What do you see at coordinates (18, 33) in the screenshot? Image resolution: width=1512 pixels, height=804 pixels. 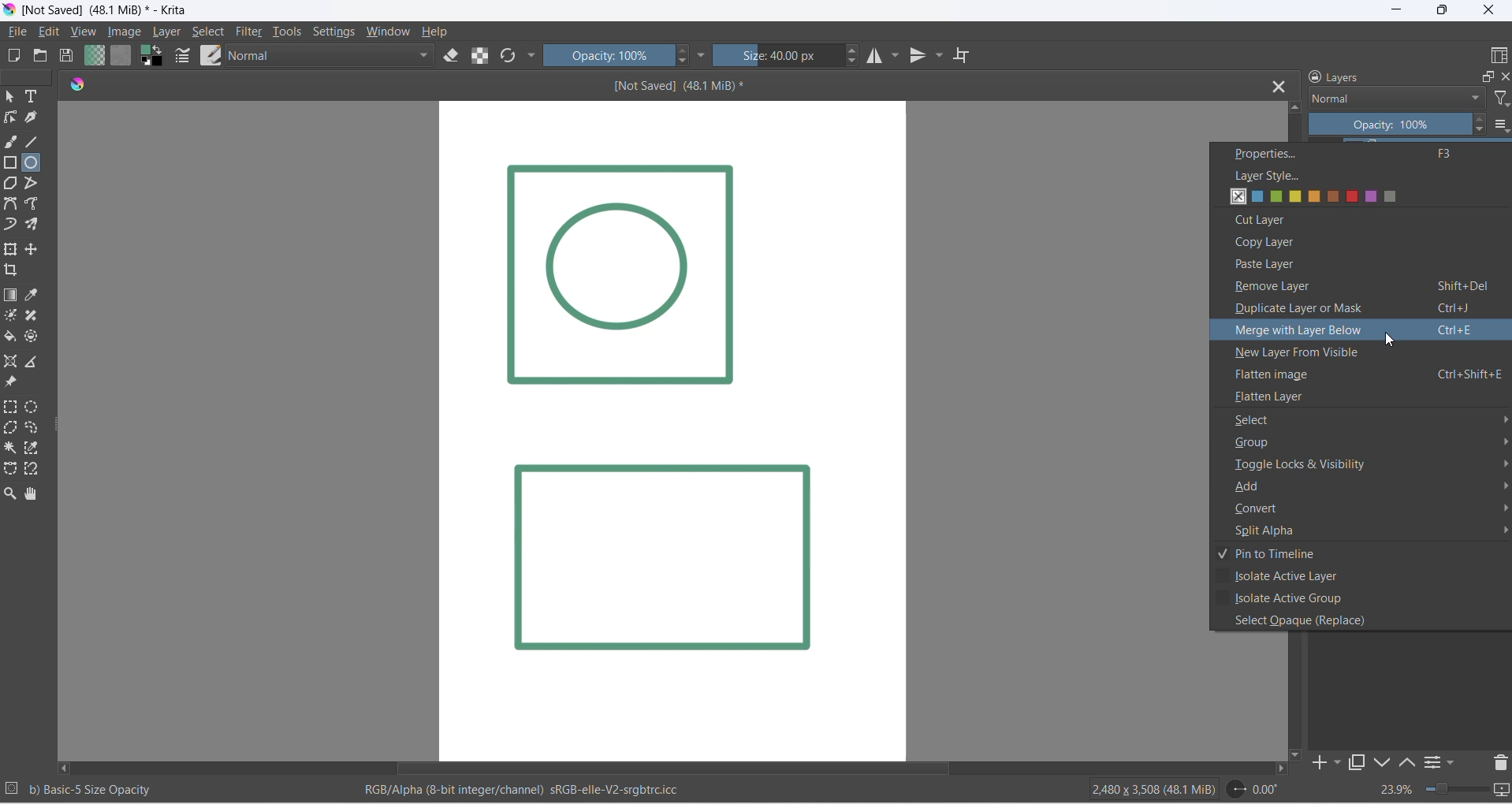 I see `file` at bounding box center [18, 33].